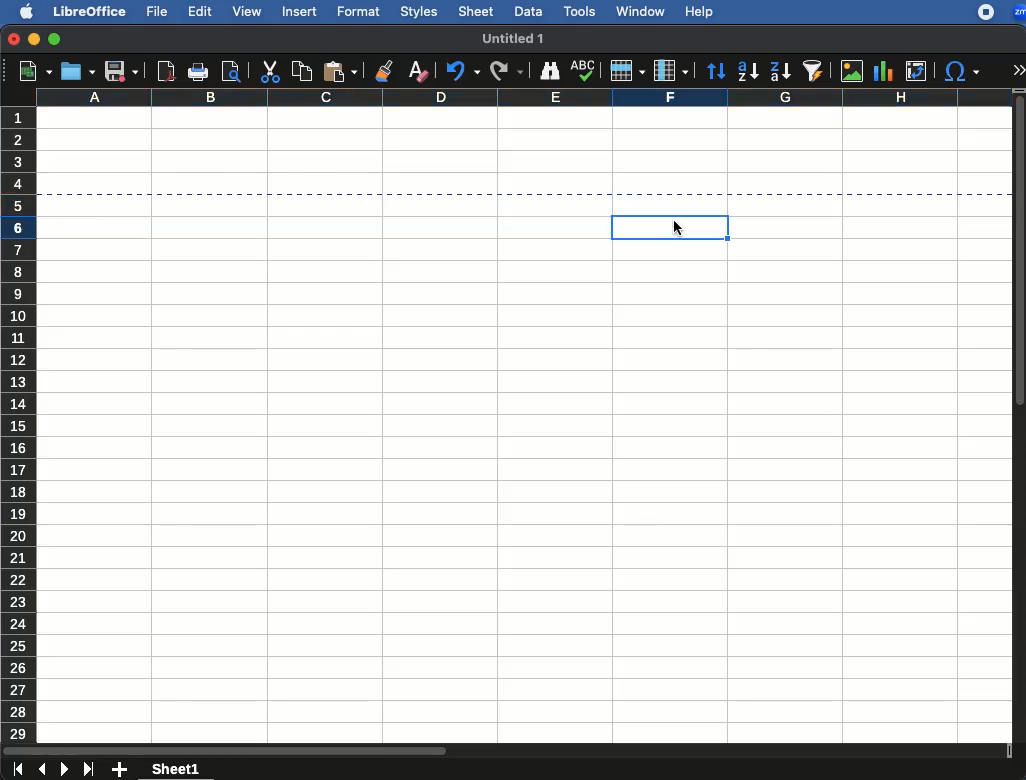  I want to click on add, so click(120, 771).